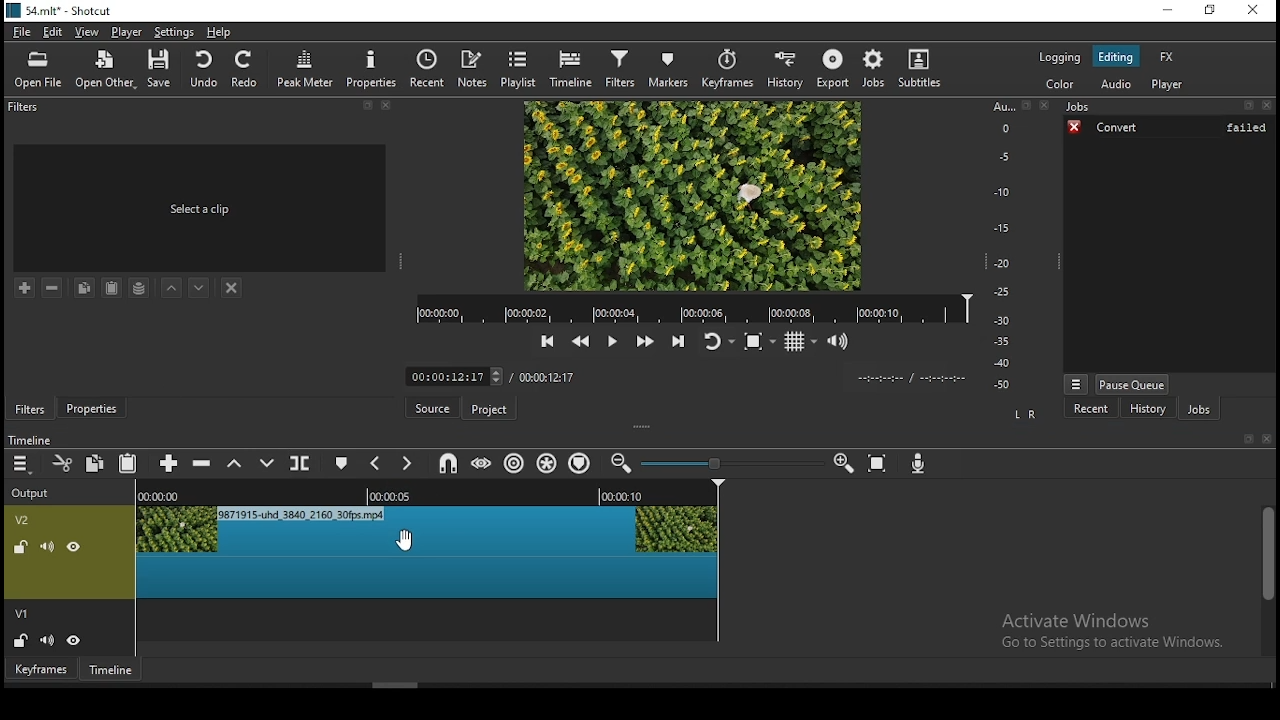 This screenshot has width=1280, height=720. Describe the element at coordinates (1169, 129) in the screenshot. I see `convert failed` at that location.